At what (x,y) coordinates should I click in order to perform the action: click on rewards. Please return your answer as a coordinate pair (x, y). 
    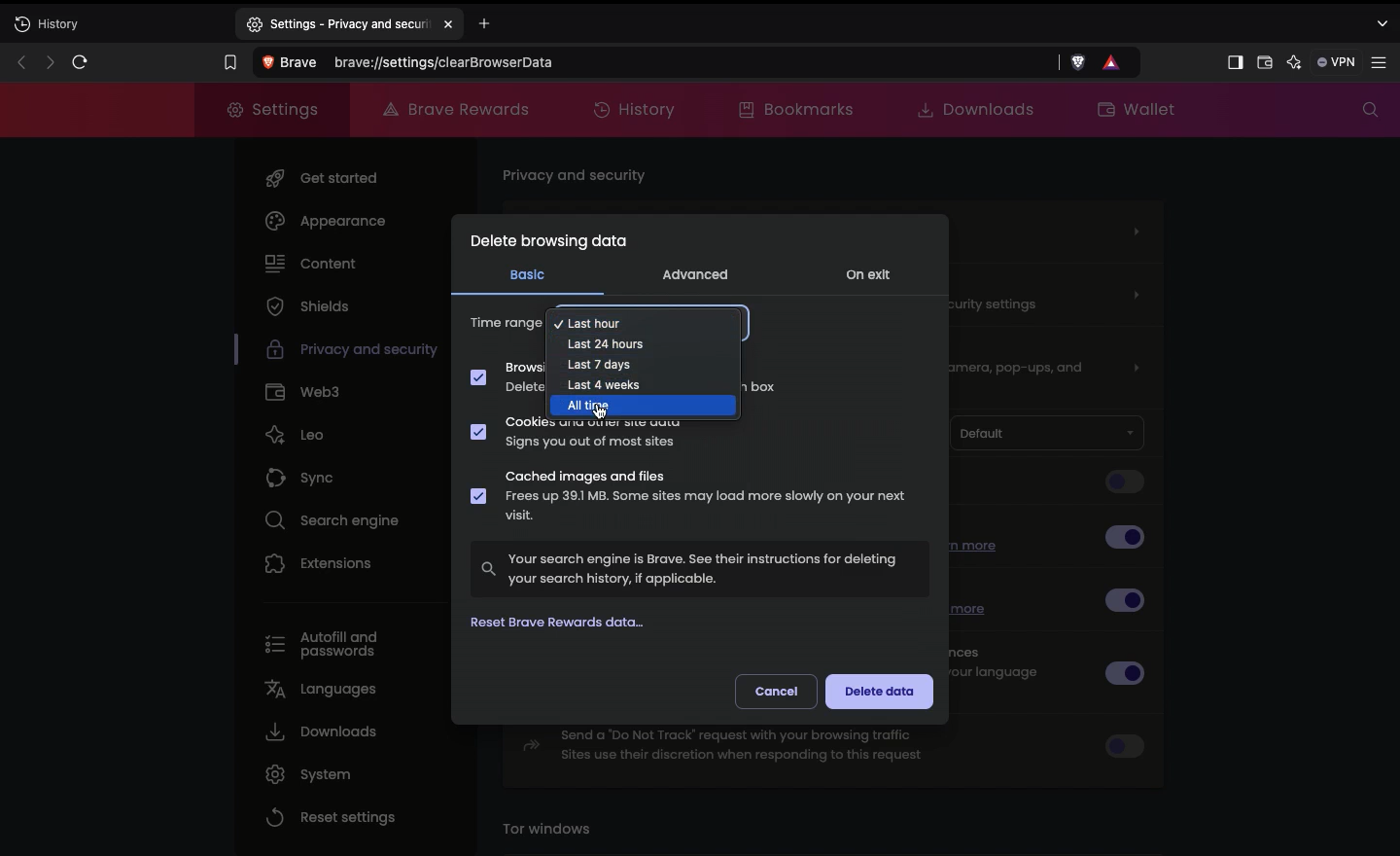
    Looking at the image, I should click on (1113, 61).